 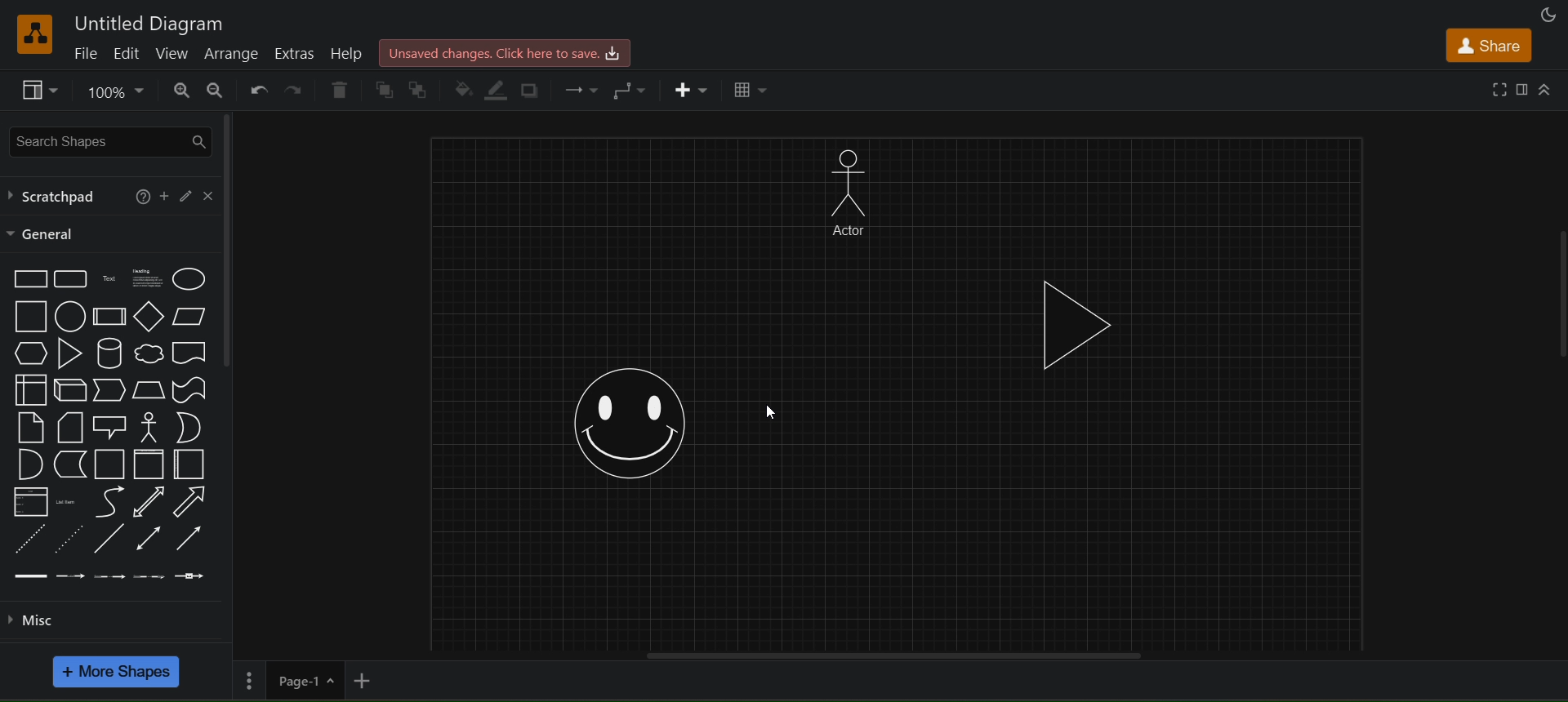 I want to click on card, so click(x=66, y=425).